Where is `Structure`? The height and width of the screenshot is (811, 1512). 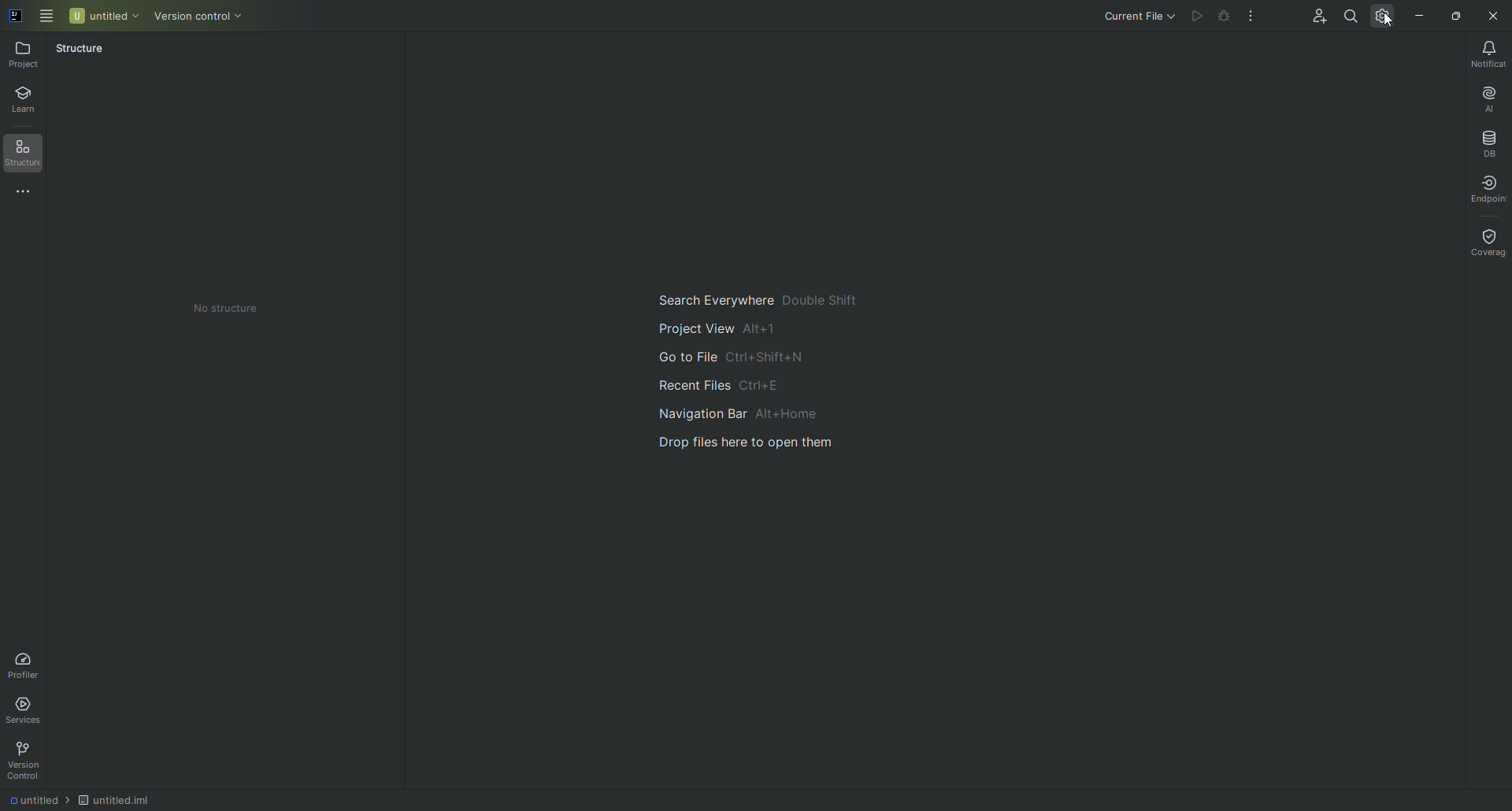
Structure is located at coordinates (83, 48).